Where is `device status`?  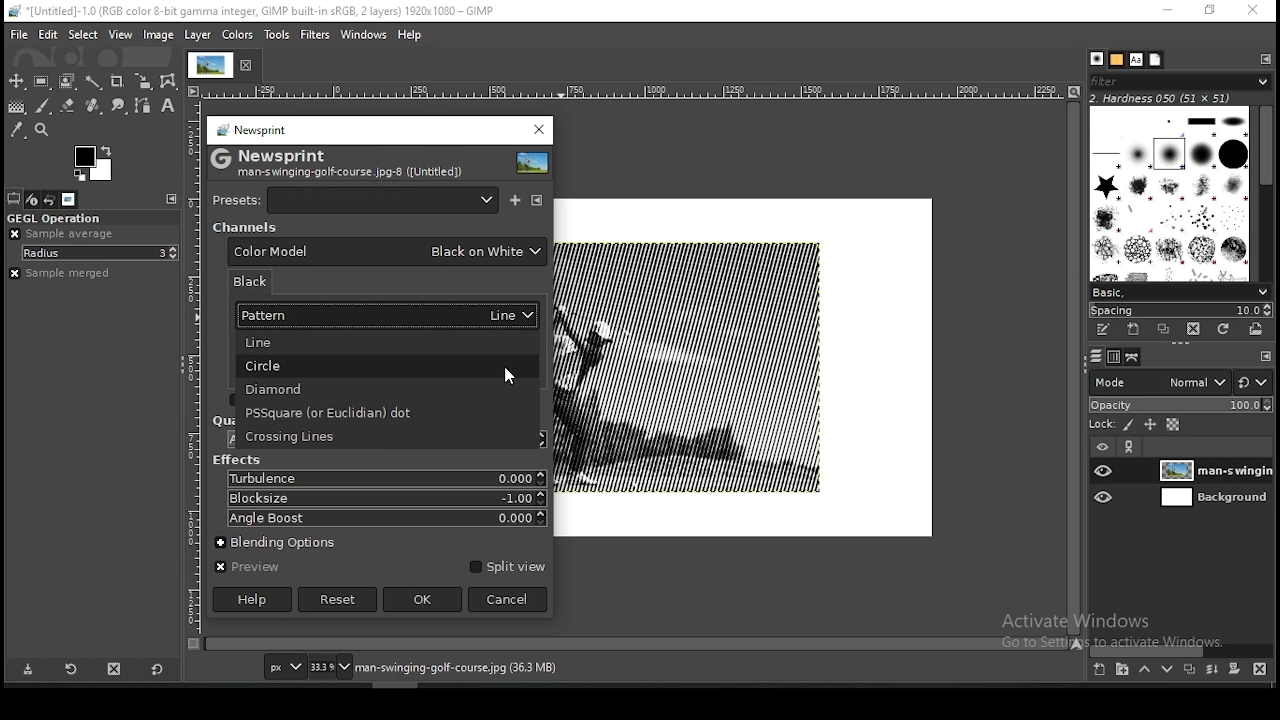
device status is located at coordinates (32, 199).